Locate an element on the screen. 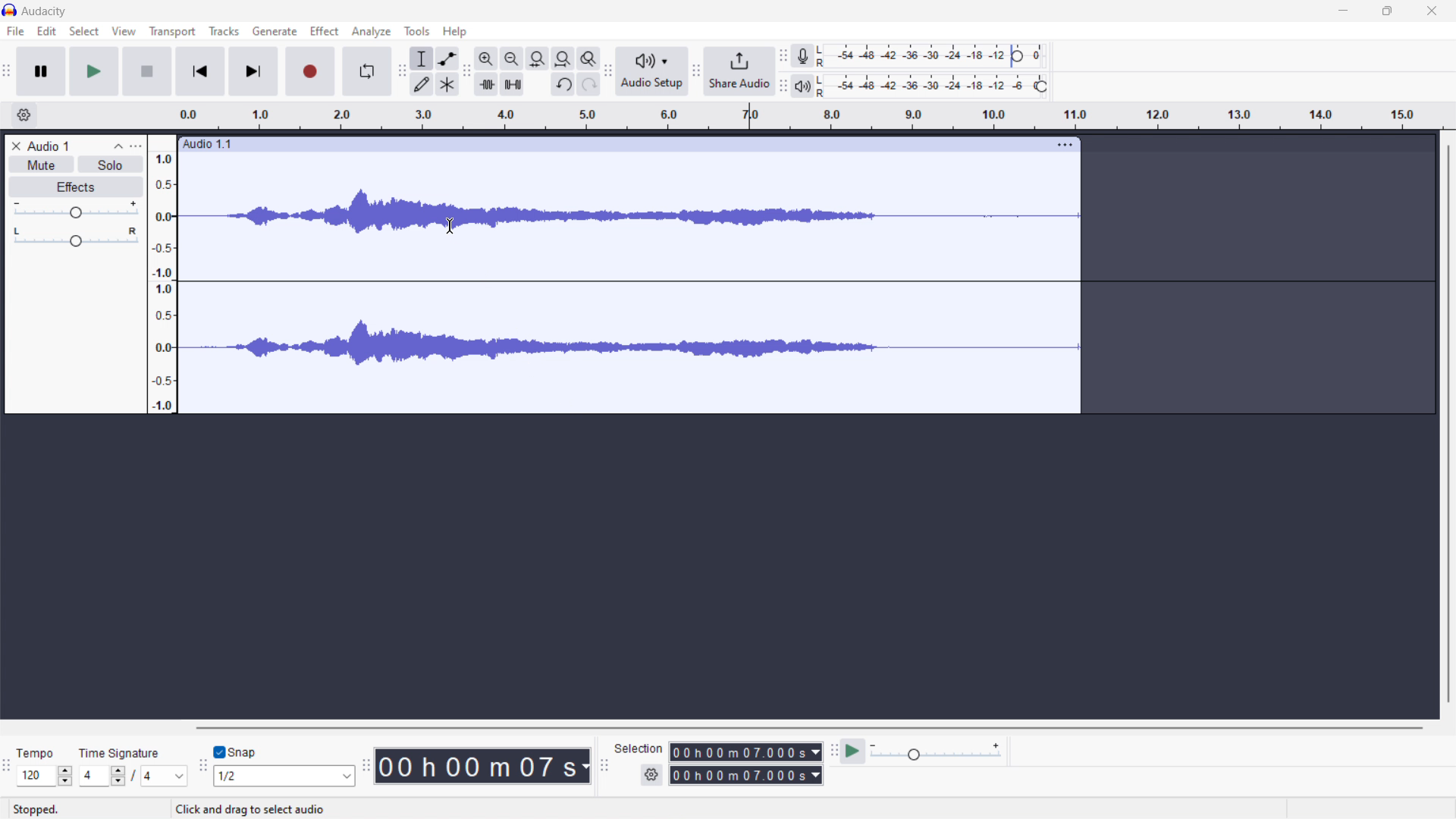  fill selection to width is located at coordinates (538, 58).